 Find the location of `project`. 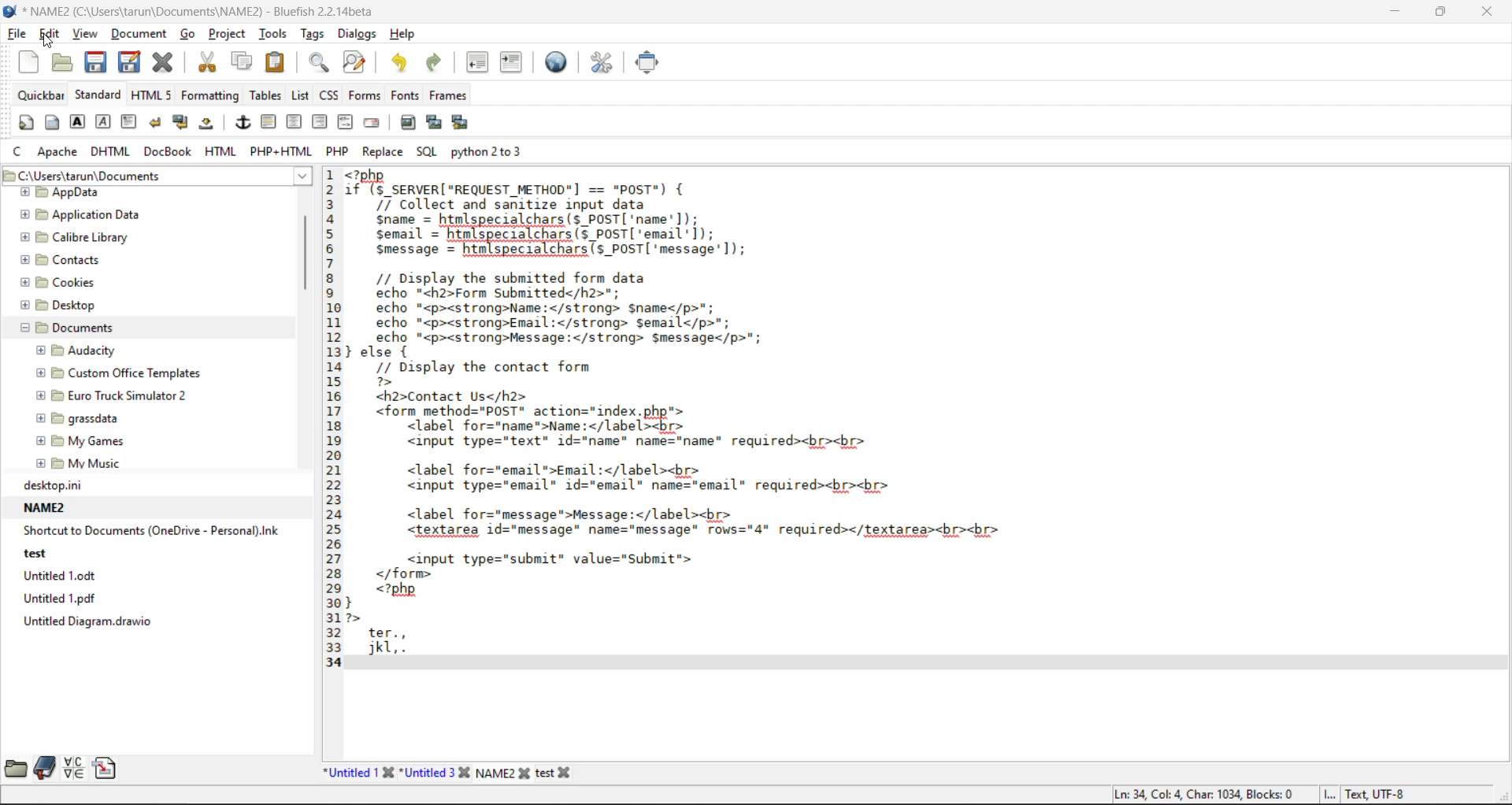

project is located at coordinates (227, 35).